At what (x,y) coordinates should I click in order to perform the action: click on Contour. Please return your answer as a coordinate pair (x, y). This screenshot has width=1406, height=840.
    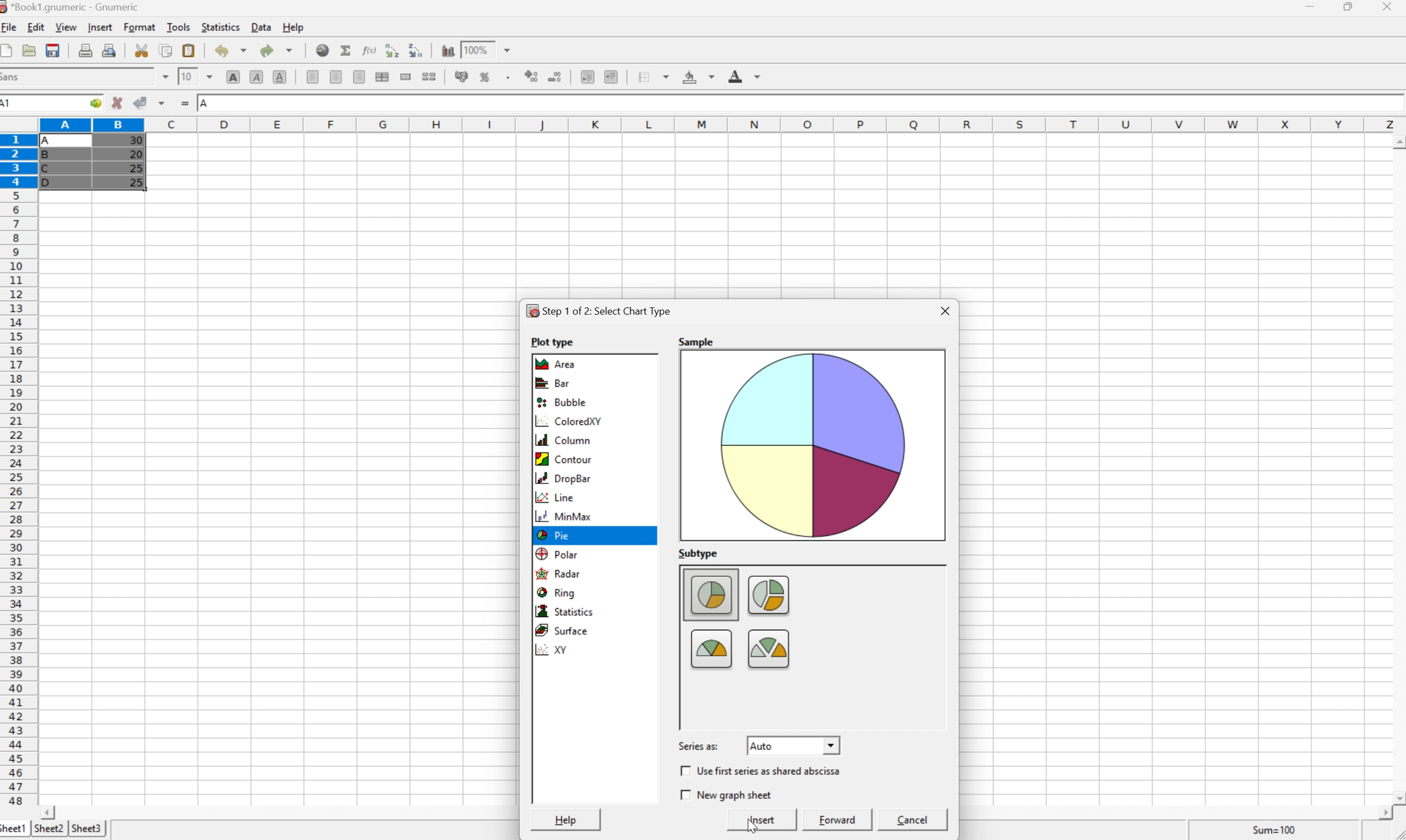
    Looking at the image, I should click on (562, 460).